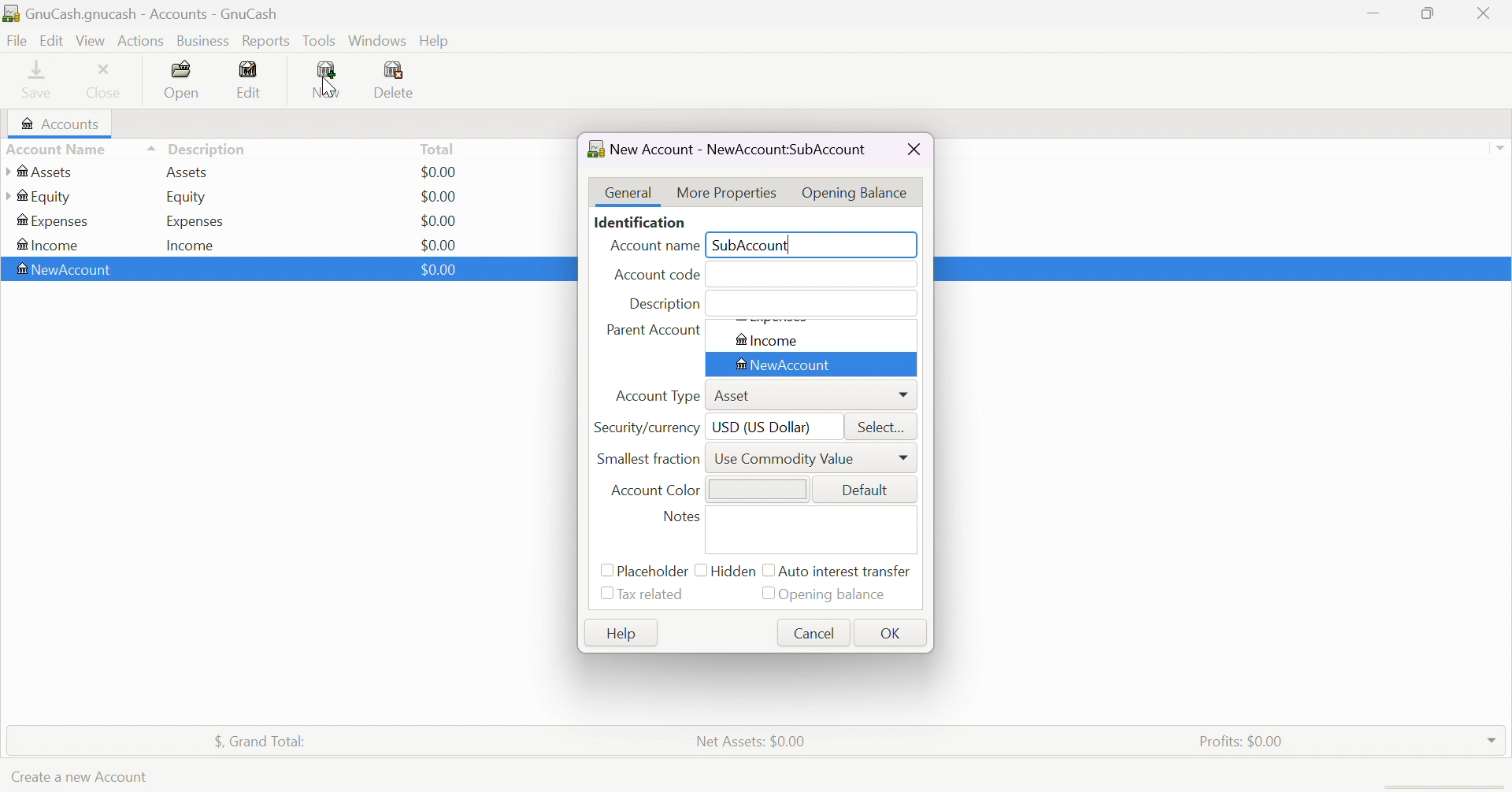 This screenshot has height=792, width=1512. I want to click on Tools, so click(321, 41).